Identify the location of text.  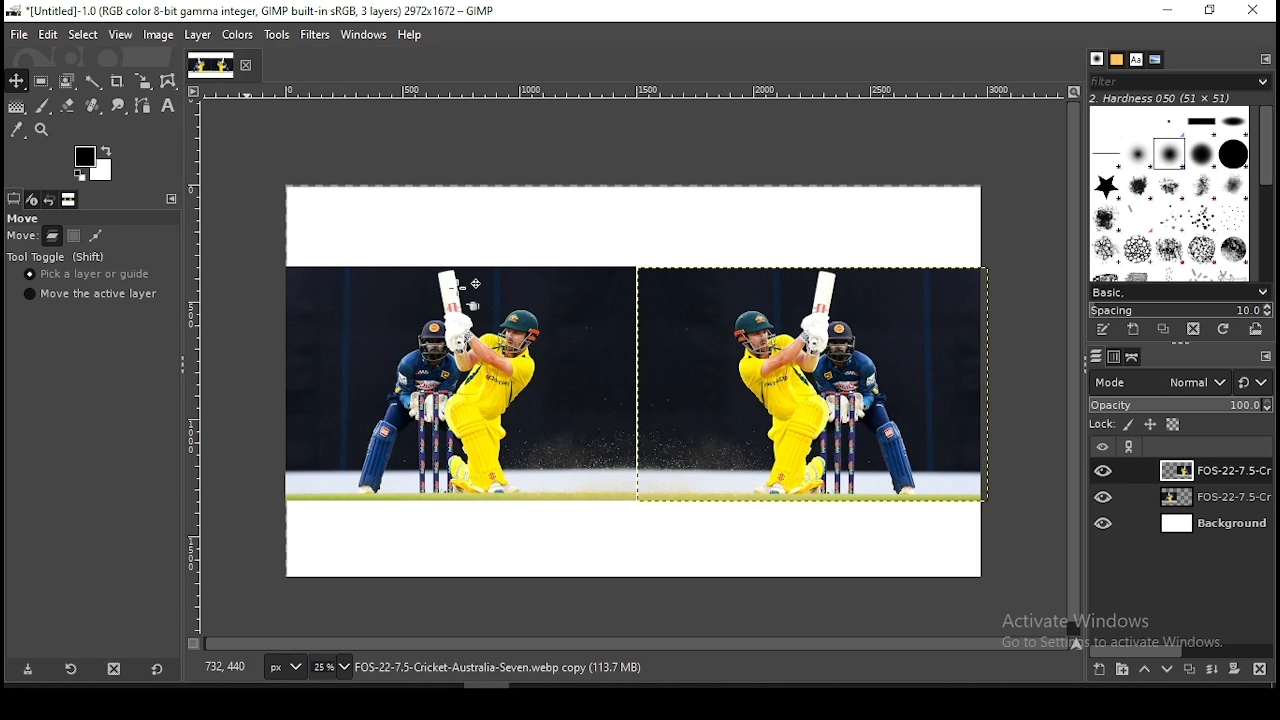
(1119, 631).